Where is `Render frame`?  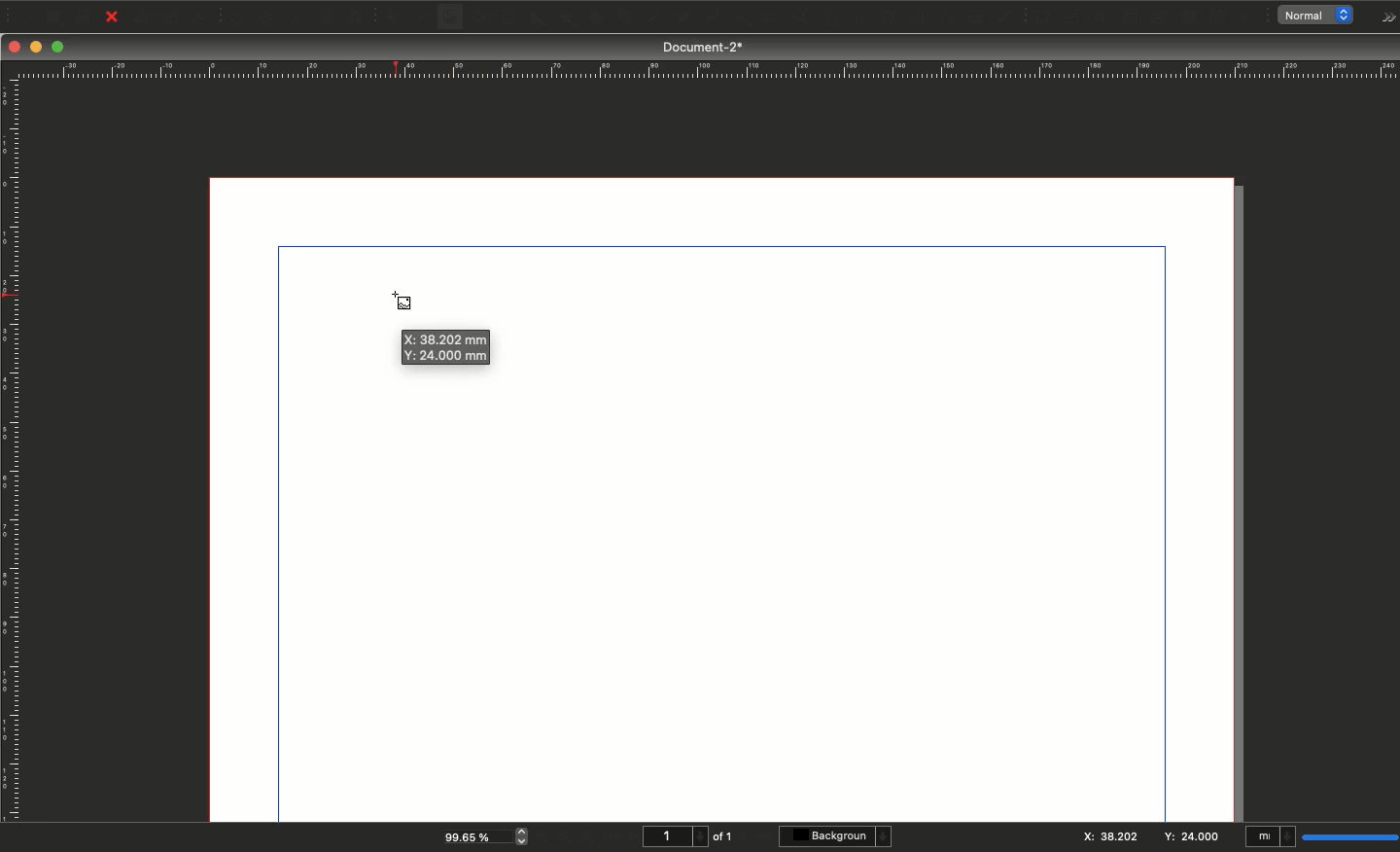 Render frame is located at coordinates (477, 18).